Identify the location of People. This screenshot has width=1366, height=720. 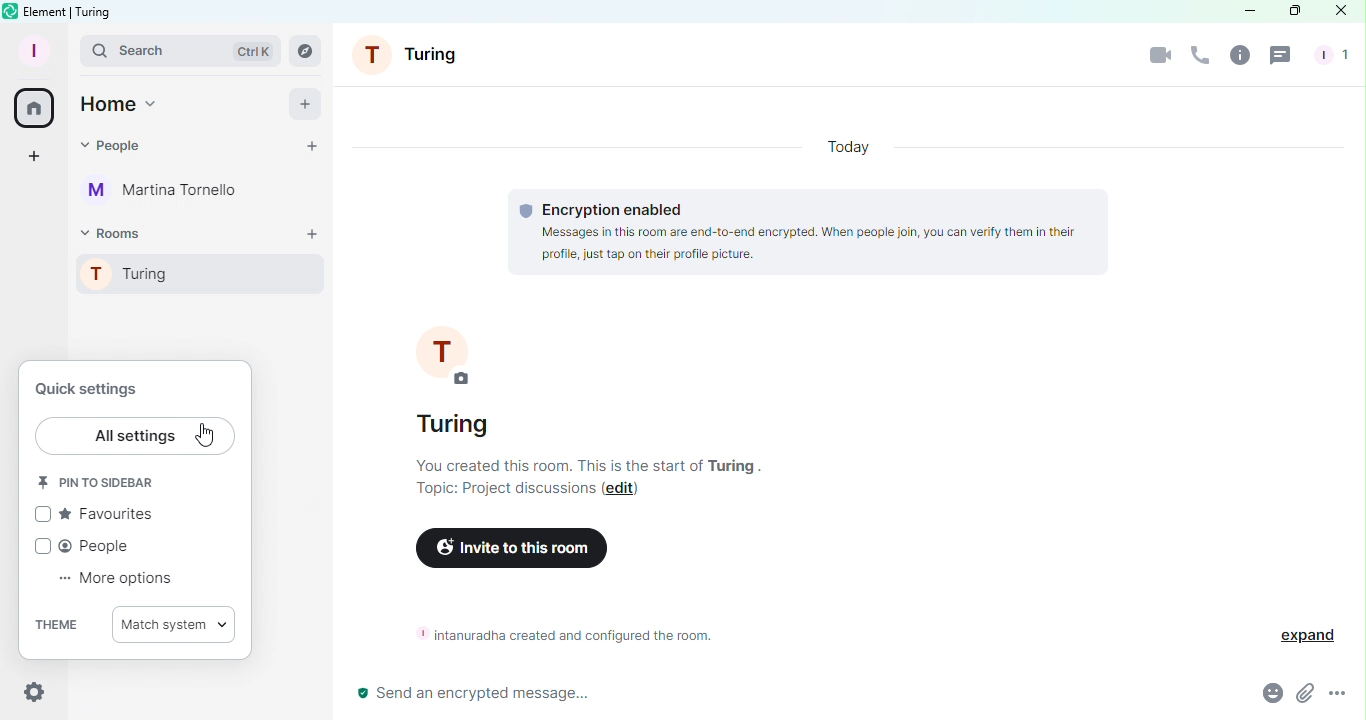
(102, 548).